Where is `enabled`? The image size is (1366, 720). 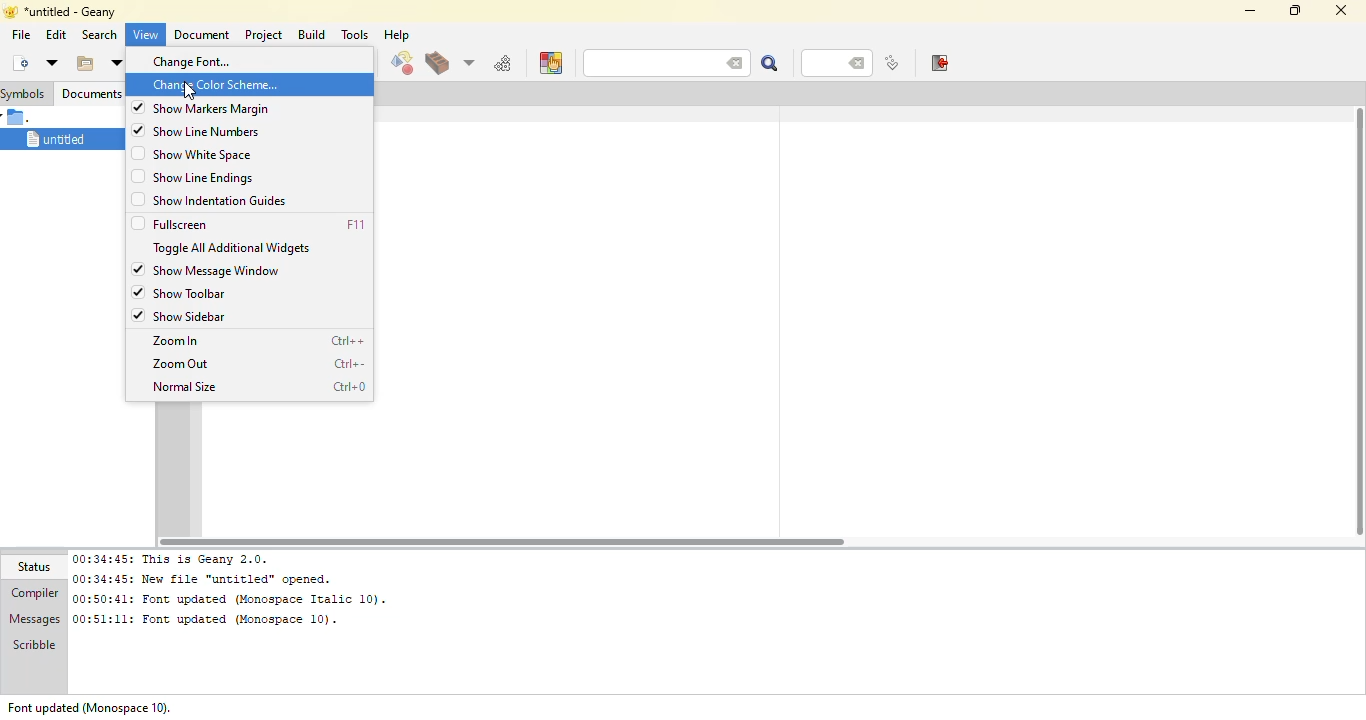 enabled is located at coordinates (141, 315).